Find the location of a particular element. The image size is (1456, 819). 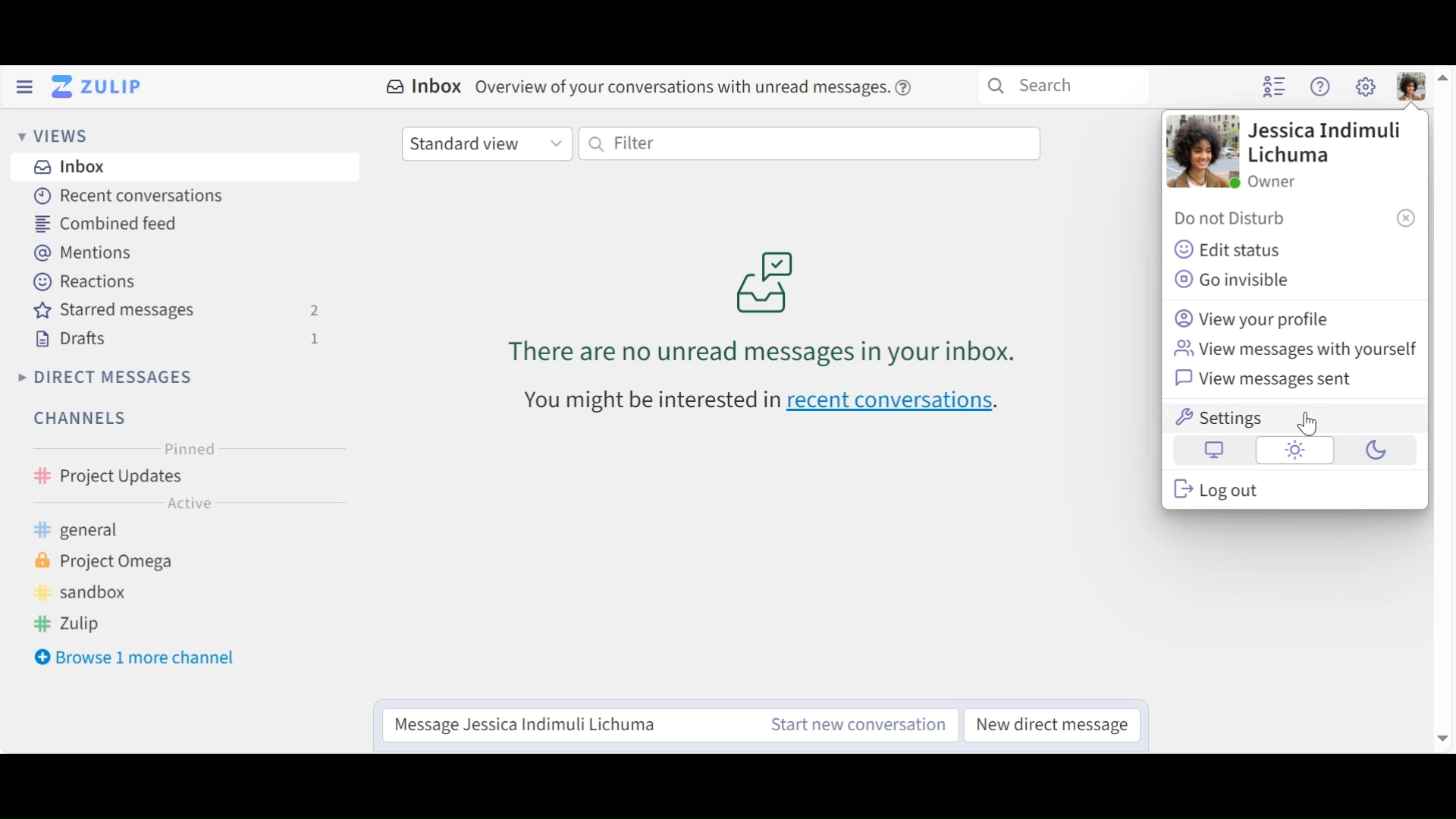

Overview of conversations with unread messages is located at coordinates (770, 297).